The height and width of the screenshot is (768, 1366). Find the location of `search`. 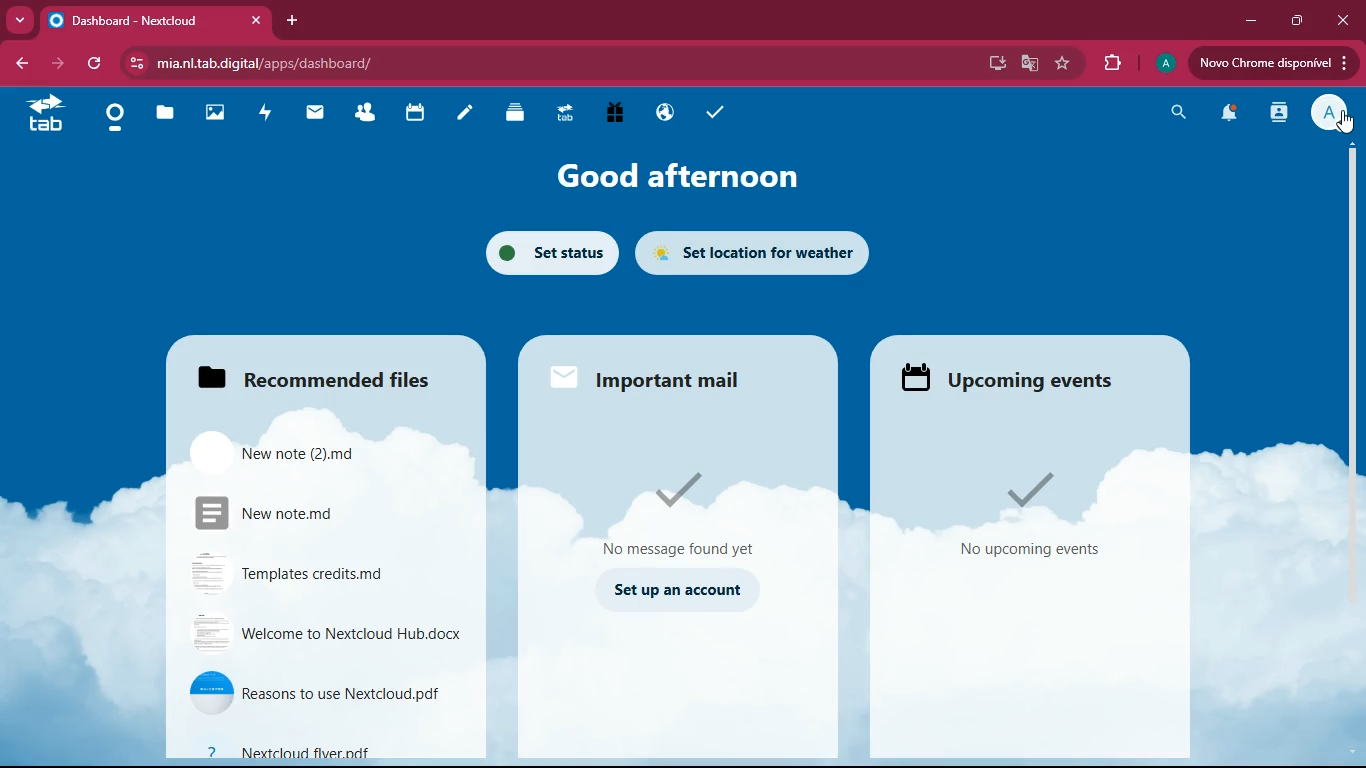

search is located at coordinates (1177, 112).